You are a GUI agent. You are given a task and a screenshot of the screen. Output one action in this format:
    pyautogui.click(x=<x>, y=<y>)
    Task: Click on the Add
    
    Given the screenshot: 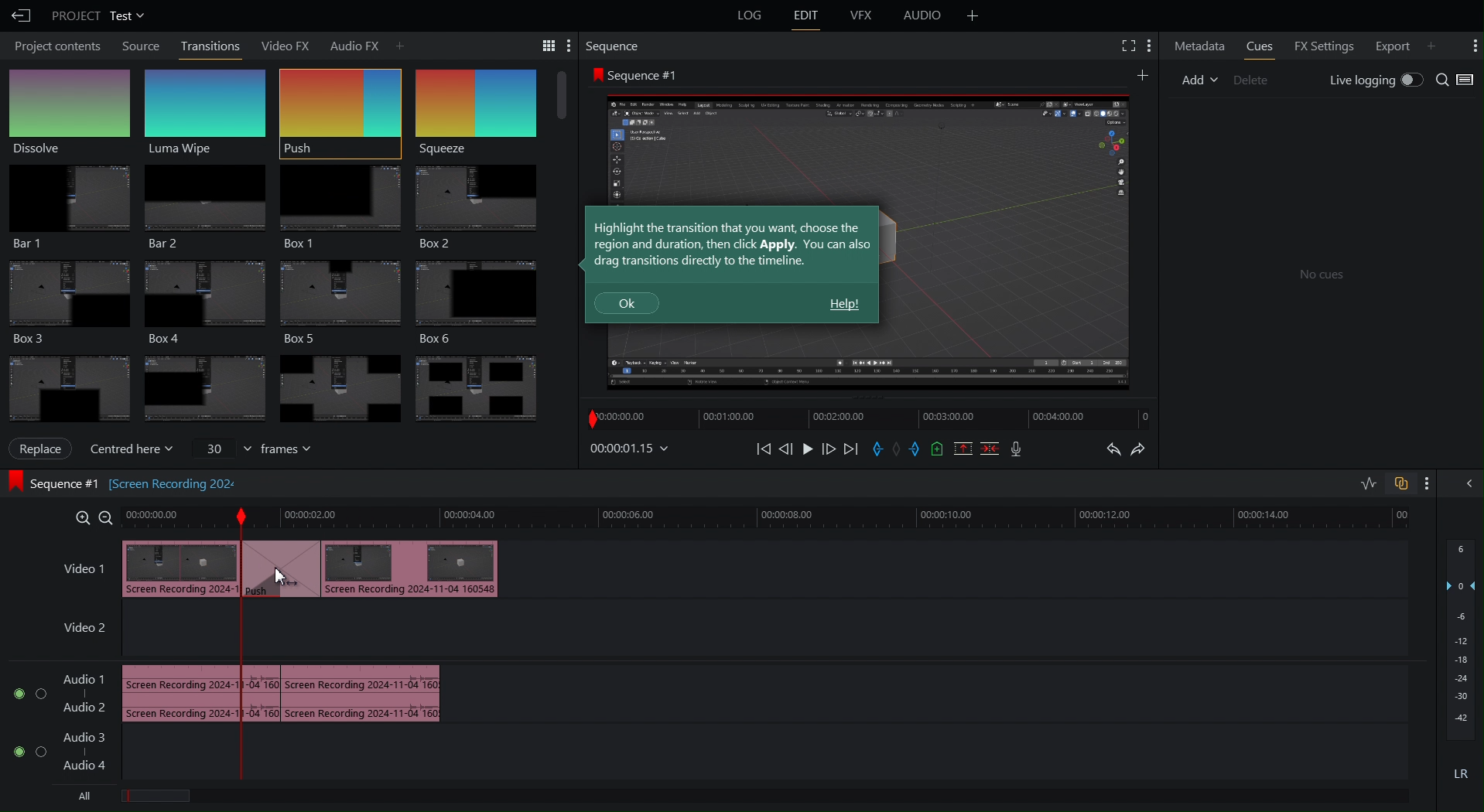 What is the action you would take?
    pyautogui.click(x=1431, y=46)
    